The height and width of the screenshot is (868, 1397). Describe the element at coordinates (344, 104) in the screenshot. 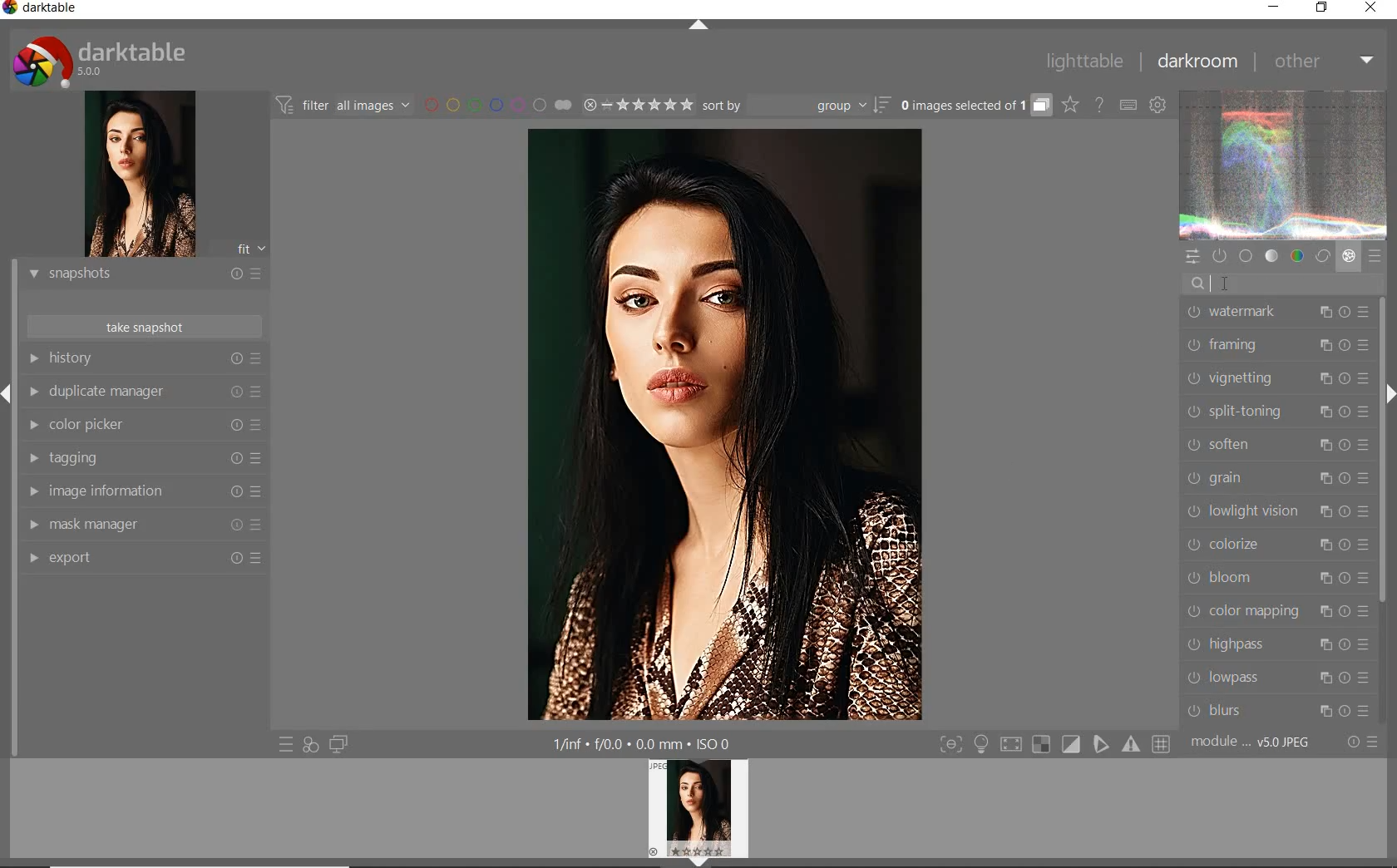

I see `filter images based on their modules` at that location.